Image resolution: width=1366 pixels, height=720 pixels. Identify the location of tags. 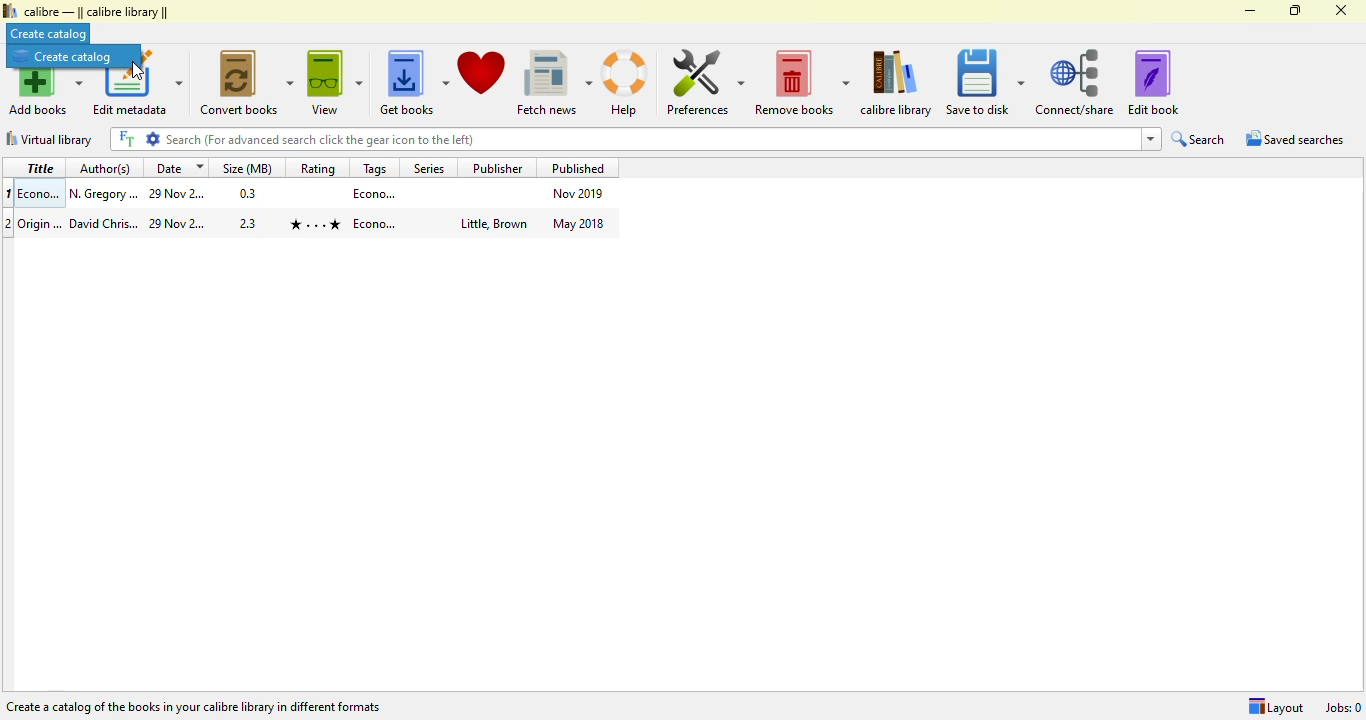
(376, 168).